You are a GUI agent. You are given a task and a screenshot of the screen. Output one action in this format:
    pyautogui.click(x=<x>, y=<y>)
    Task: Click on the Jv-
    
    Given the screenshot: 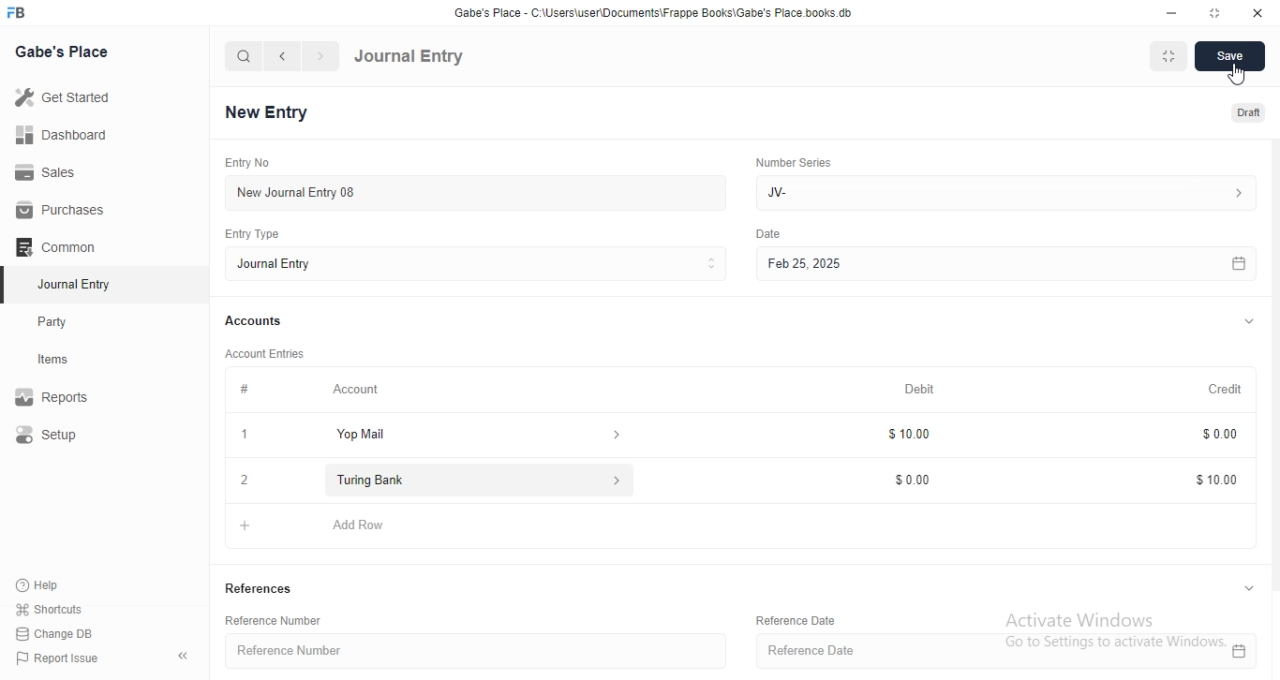 What is the action you would take?
    pyautogui.click(x=1010, y=191)
    